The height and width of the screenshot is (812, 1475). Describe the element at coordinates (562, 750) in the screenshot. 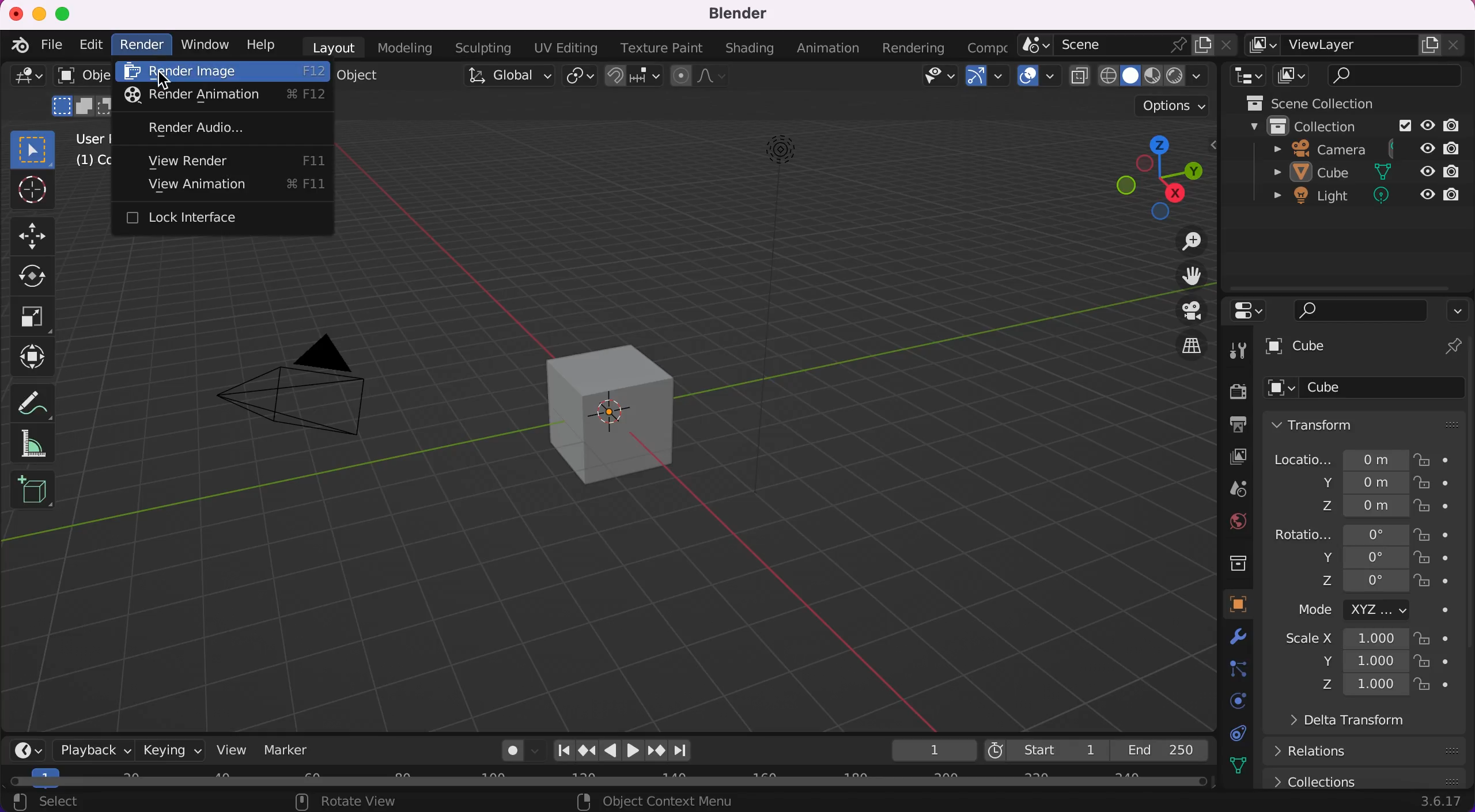

I see `Join to startpoint` at that location.